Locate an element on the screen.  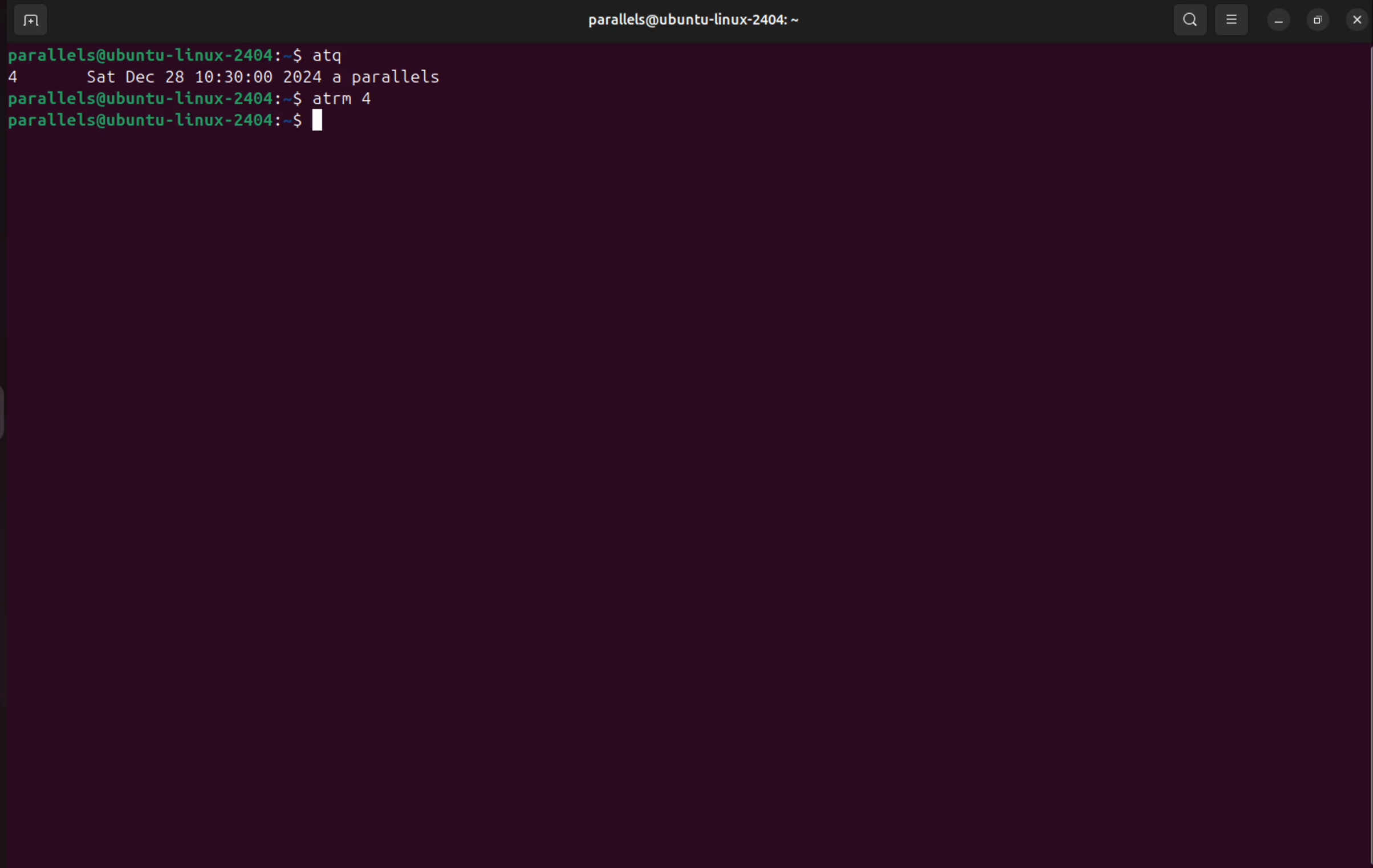
bash prompt is located at coordinates (177, 119).